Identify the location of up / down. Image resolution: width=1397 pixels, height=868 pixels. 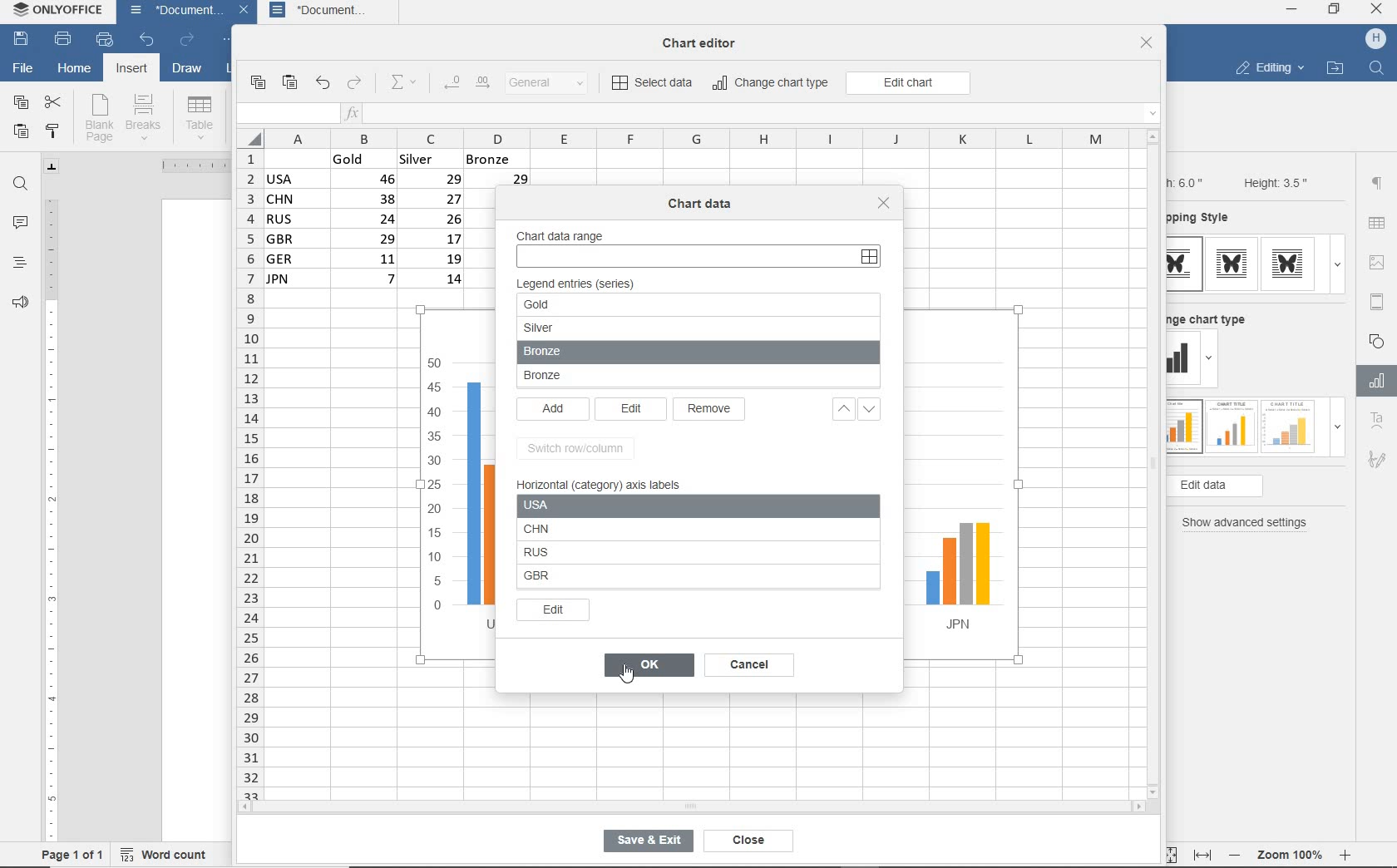
(839, 410).